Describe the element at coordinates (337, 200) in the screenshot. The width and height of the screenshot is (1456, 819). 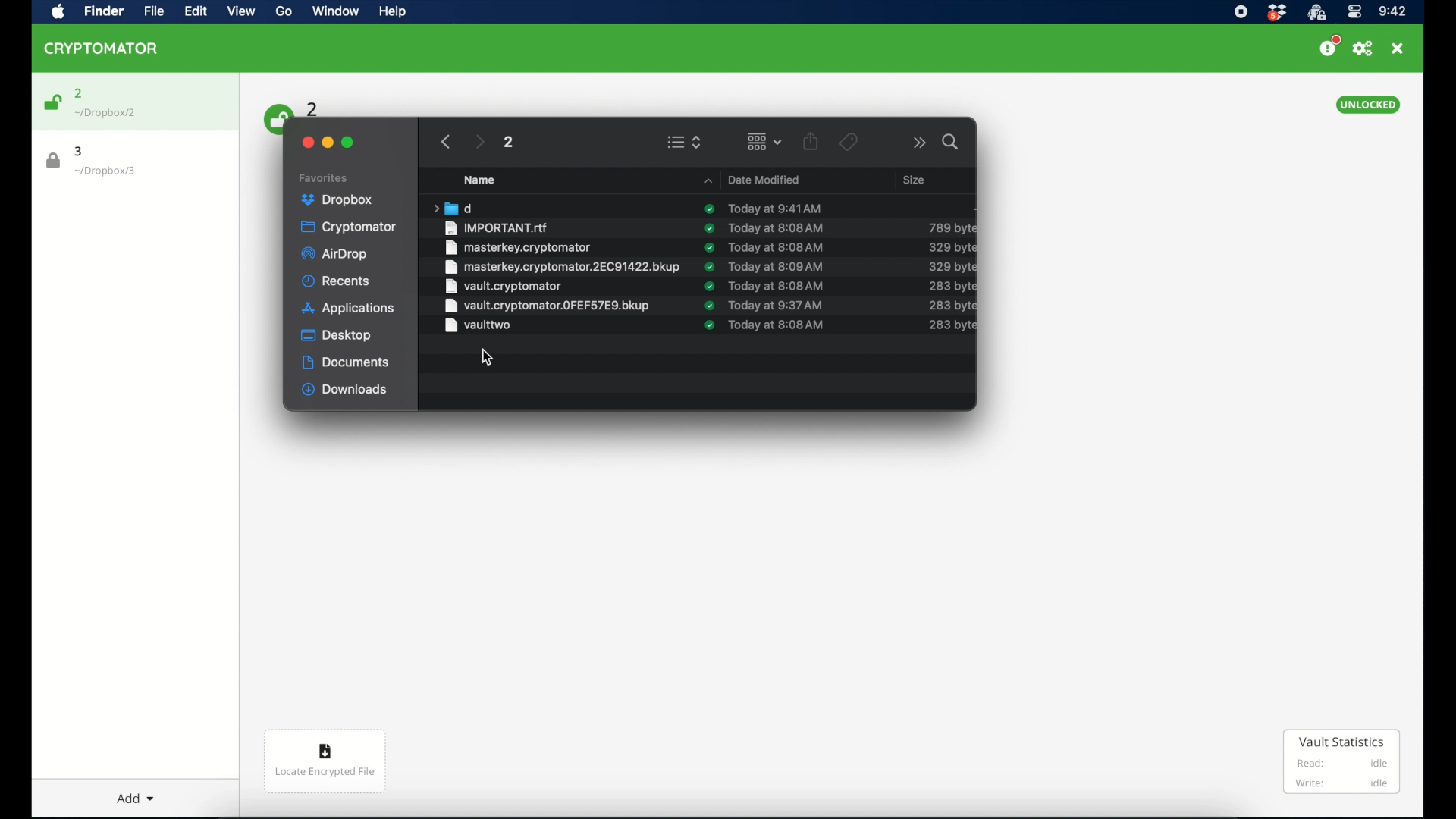
I see `dropbox` at that location.